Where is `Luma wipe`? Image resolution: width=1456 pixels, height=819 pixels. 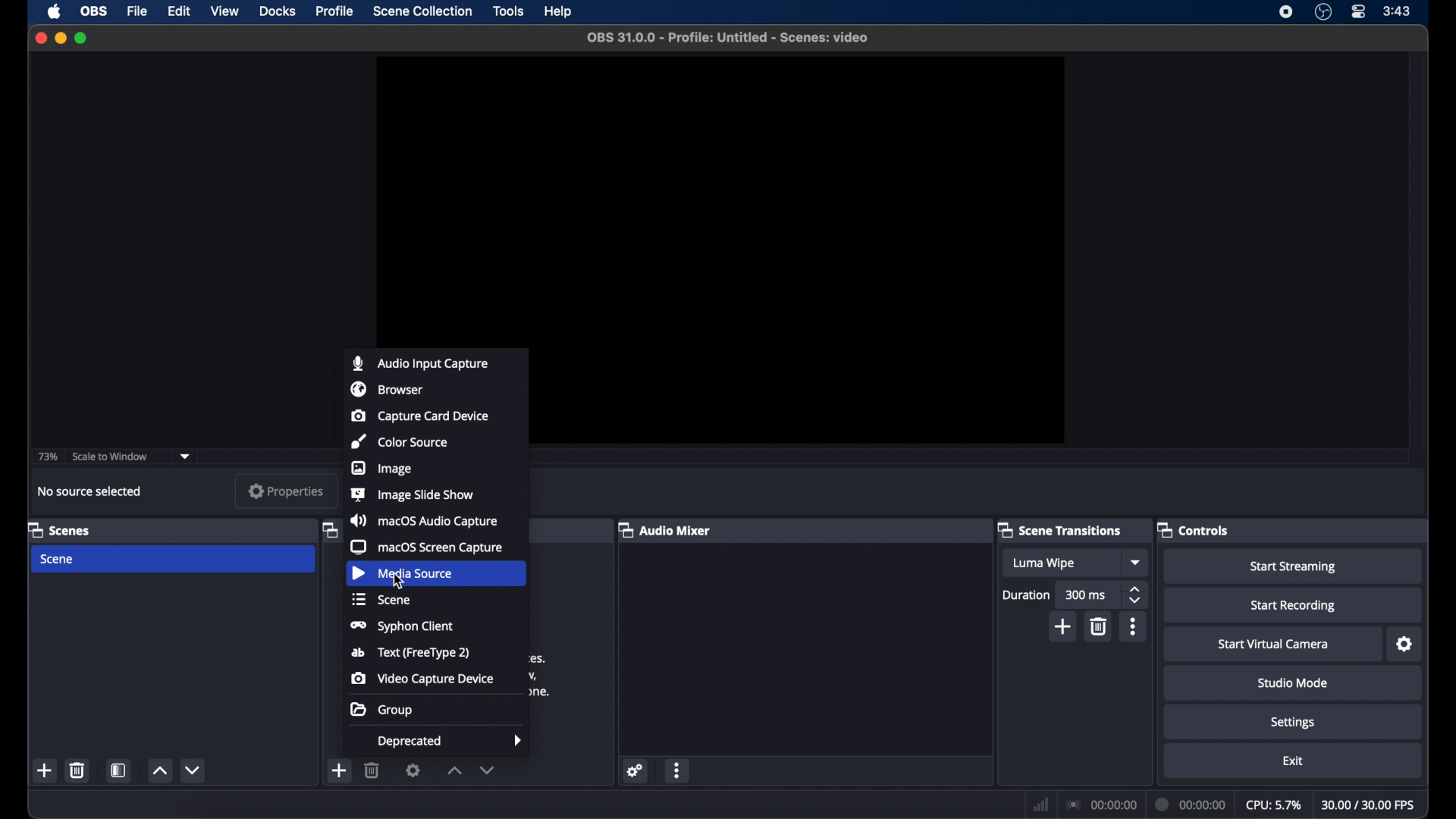
Luma wipe is located at coordinates (1043, 563).